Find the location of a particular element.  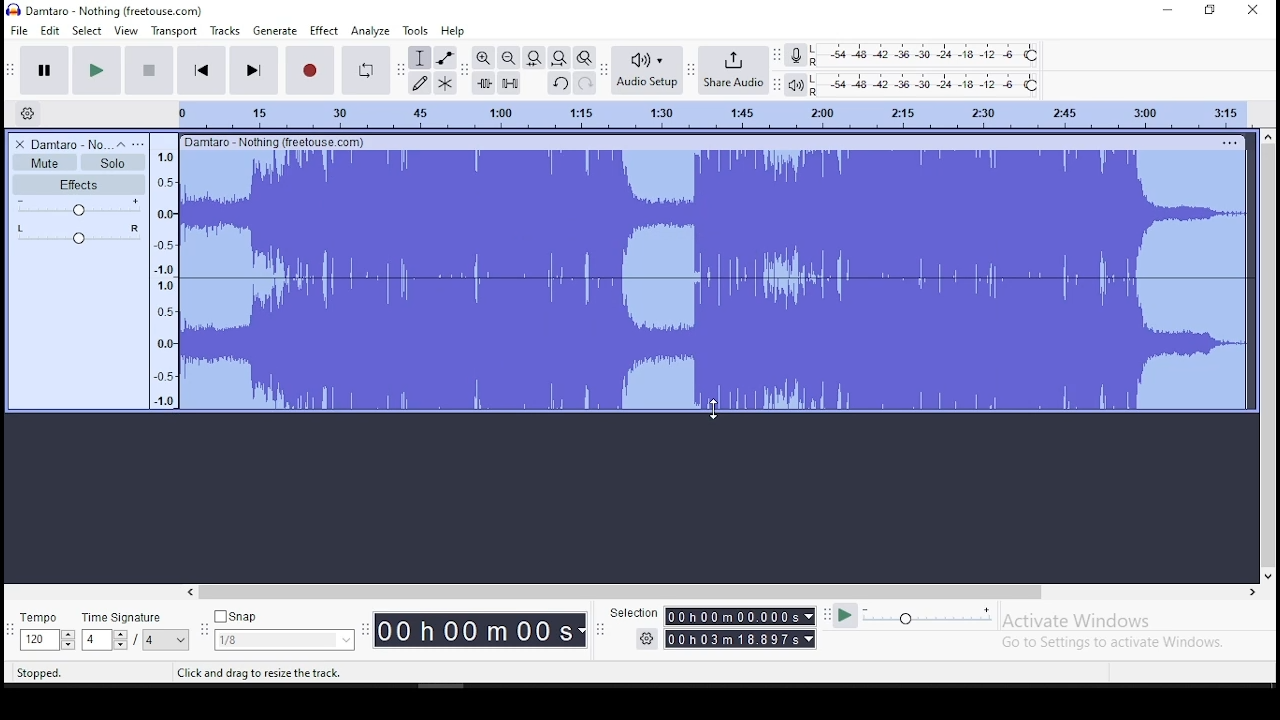

file is located at coordinates (18, 29).